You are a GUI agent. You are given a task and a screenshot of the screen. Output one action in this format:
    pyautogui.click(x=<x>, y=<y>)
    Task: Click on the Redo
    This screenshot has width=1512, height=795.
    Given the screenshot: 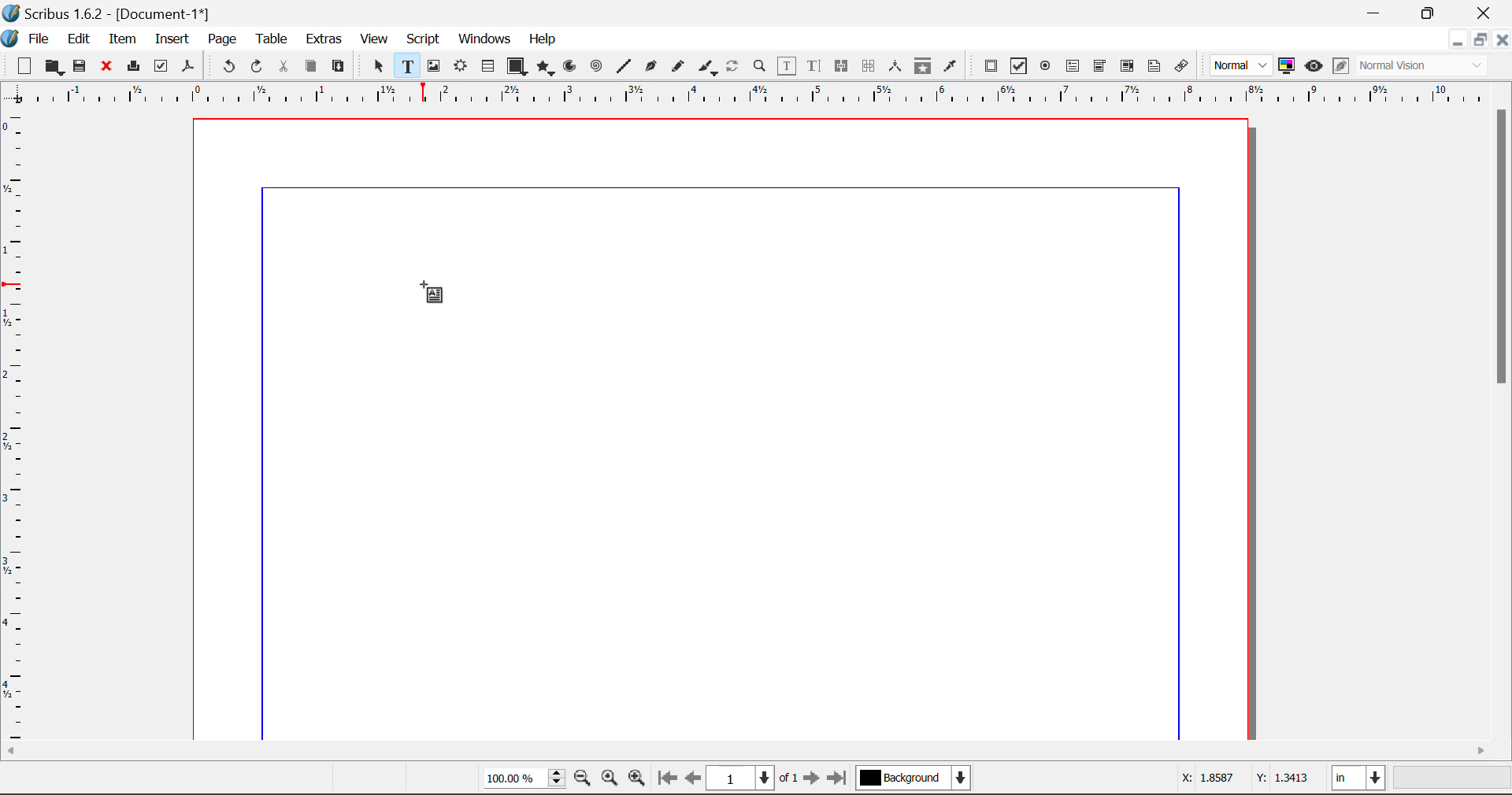 What is the action you would take?
    pyautogui.click(x=260, y=67)
    